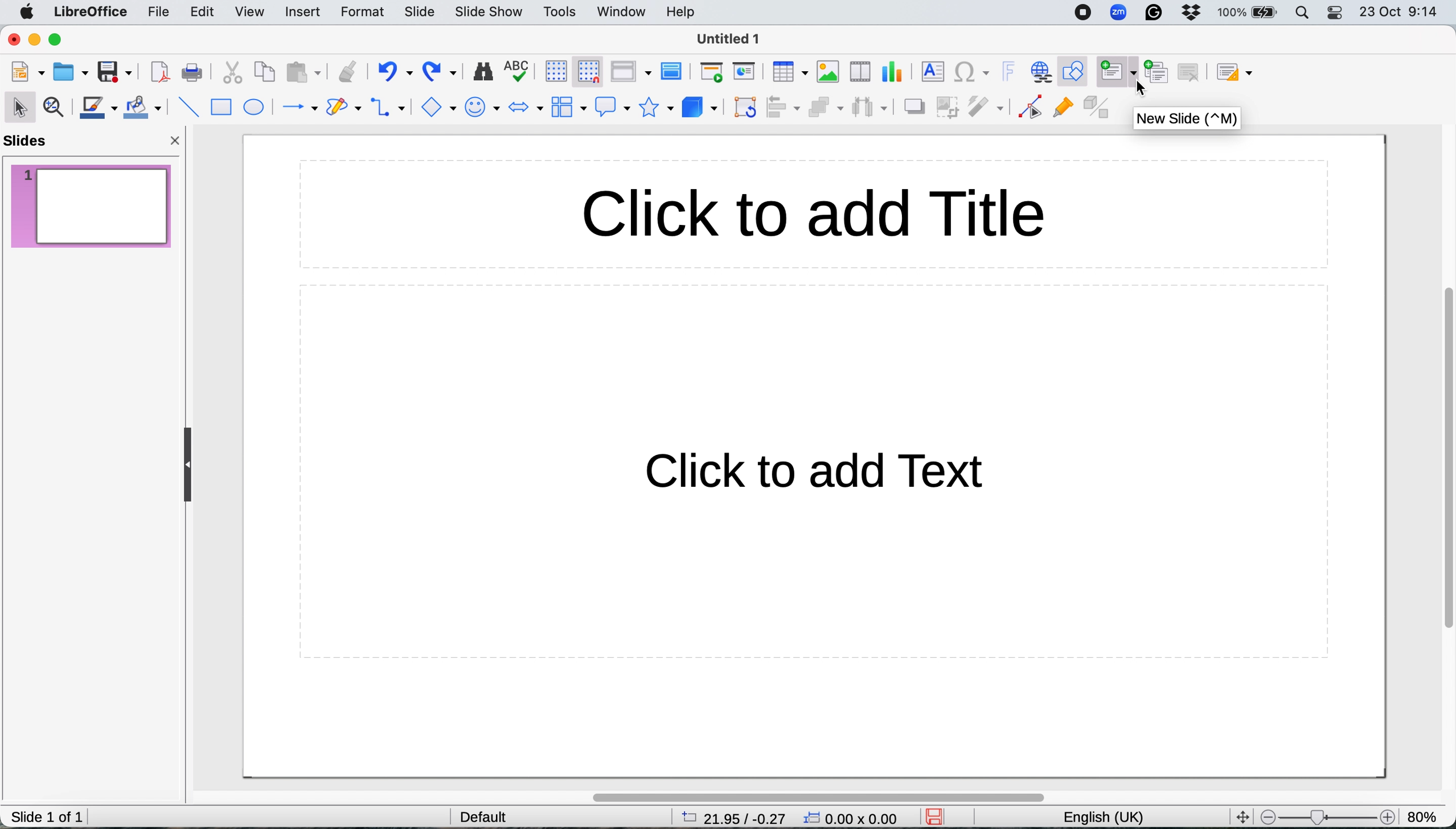  What do you see at coordinates (161, 71) in the screenshot?
I see `export directly as pdf` at bounding box center [161, 71].